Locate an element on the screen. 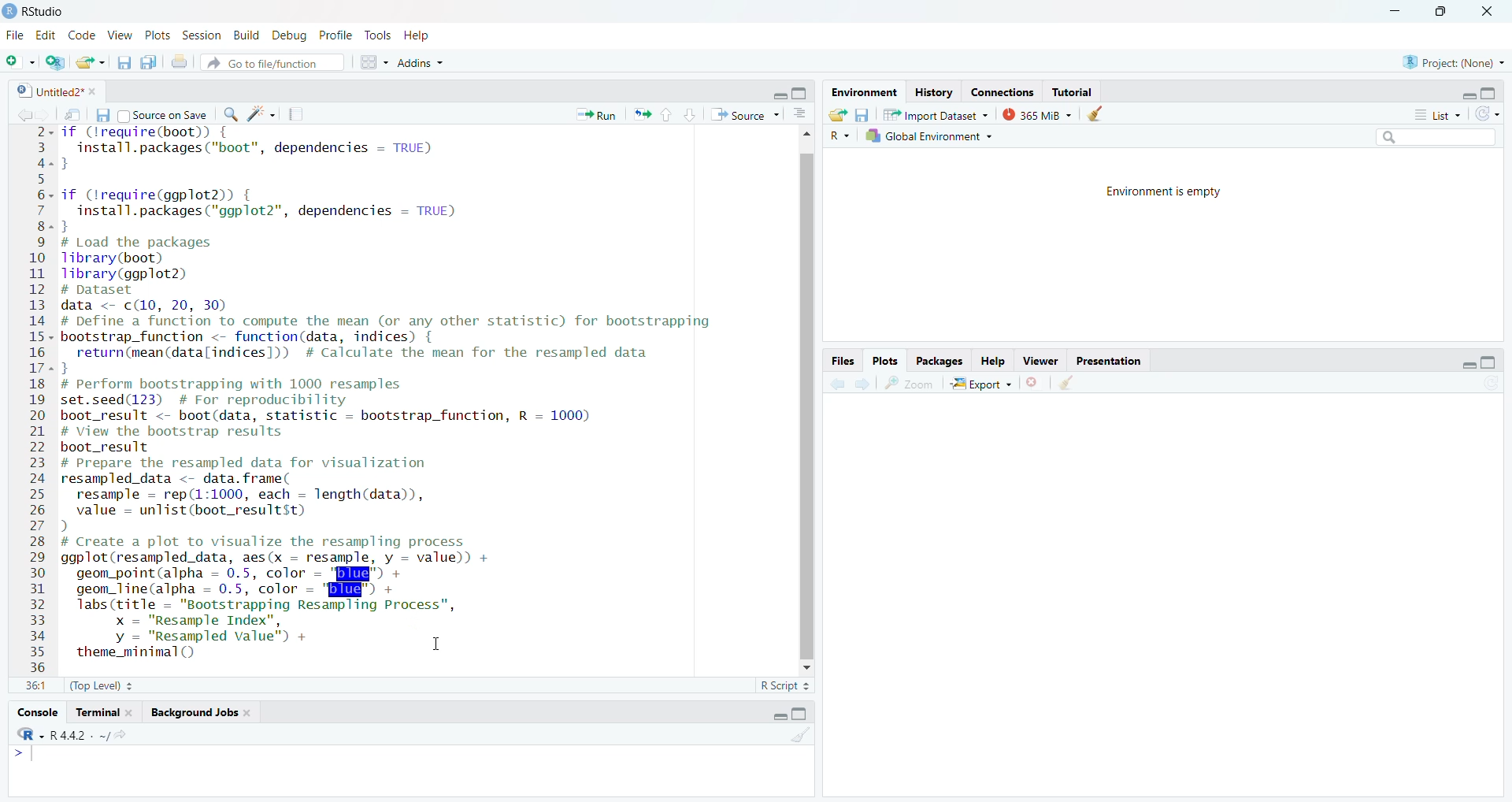 Image resolution: width=1512 pixels, height=802 pixels. new file is located at coordinates (18, 62).